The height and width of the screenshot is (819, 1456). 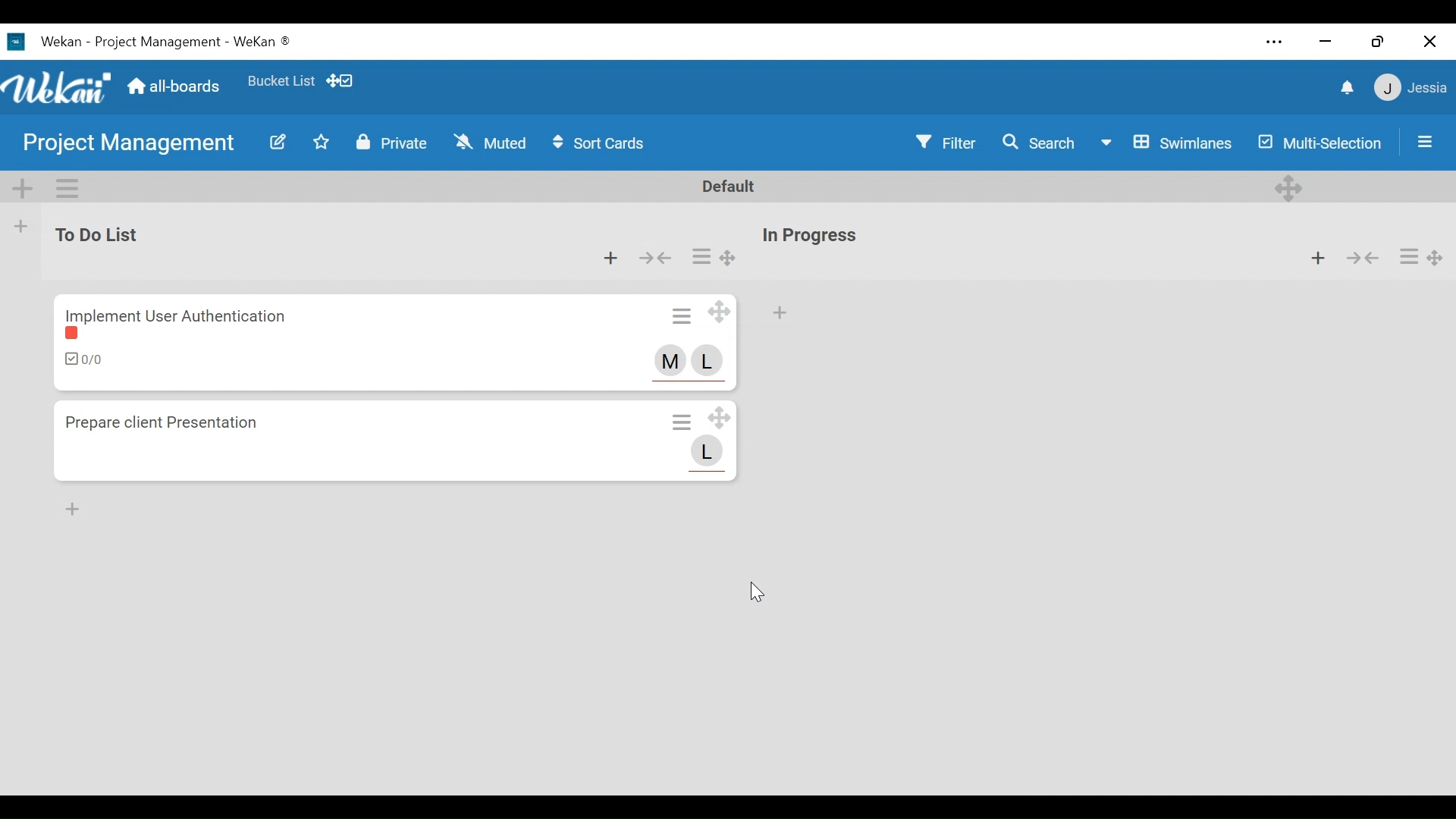 I want to click on minimize, so click(x=1325, y=42).